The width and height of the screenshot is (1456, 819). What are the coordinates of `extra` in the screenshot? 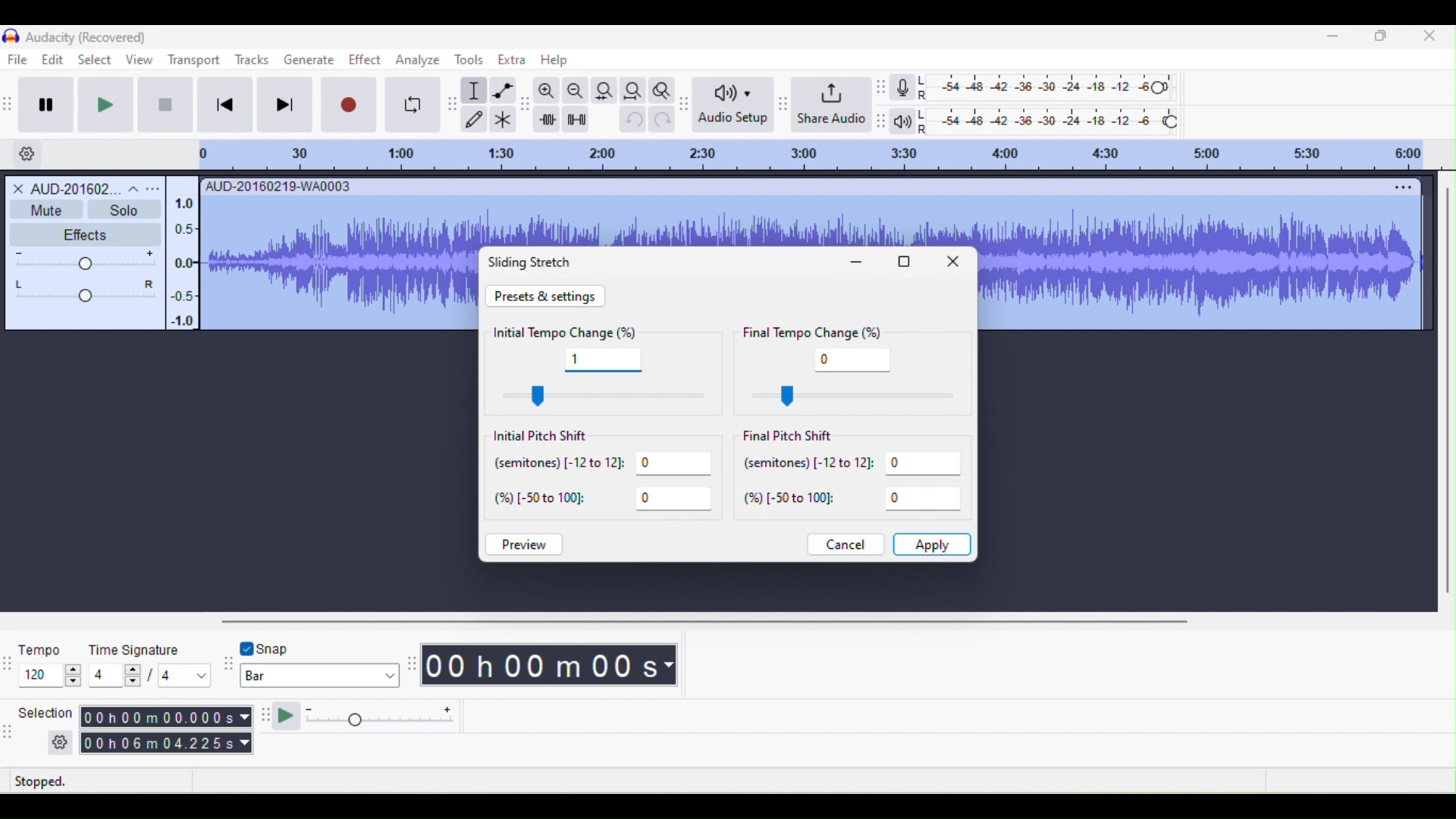 It's located at (511, 62).